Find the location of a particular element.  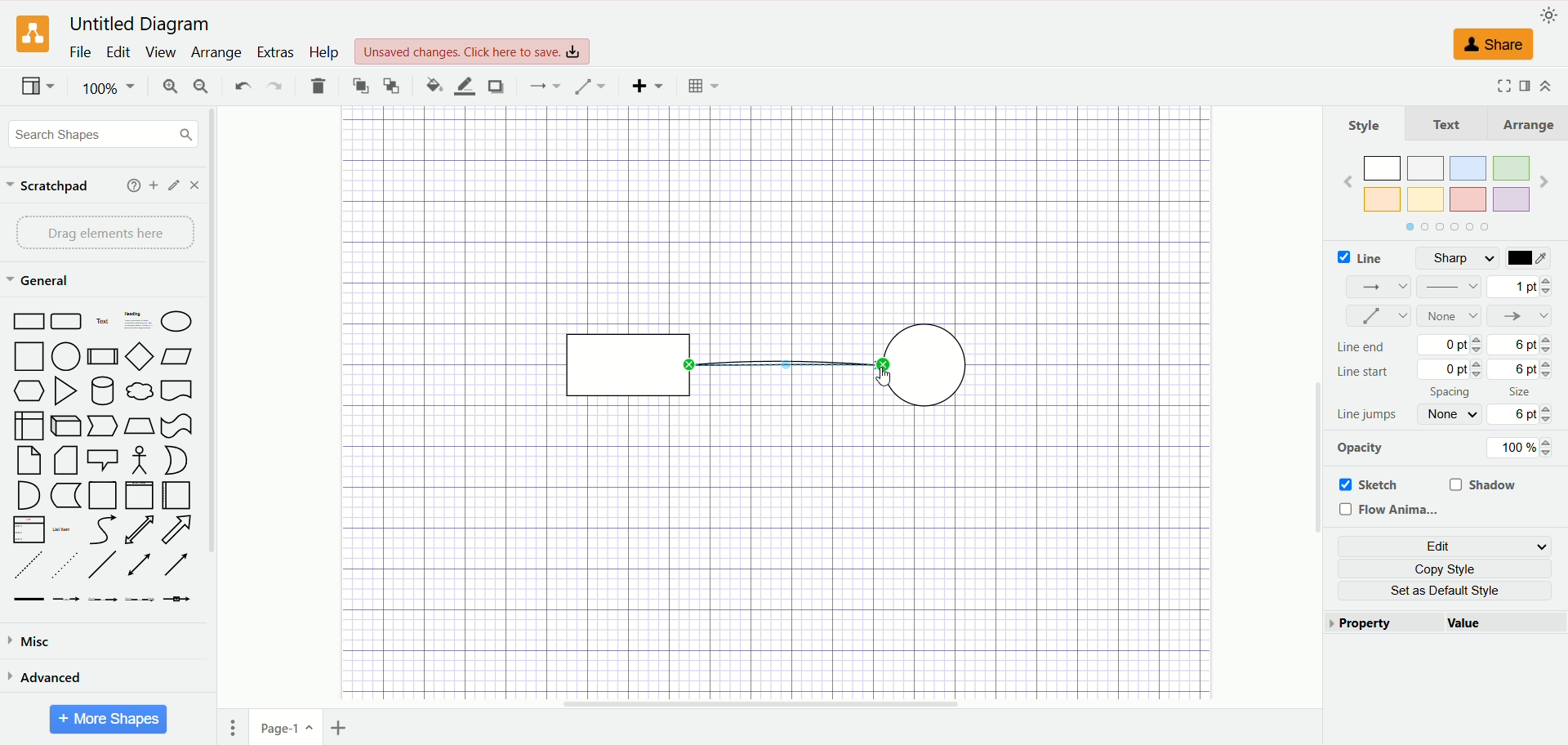

search shapes is located at coordinates (100, 134).